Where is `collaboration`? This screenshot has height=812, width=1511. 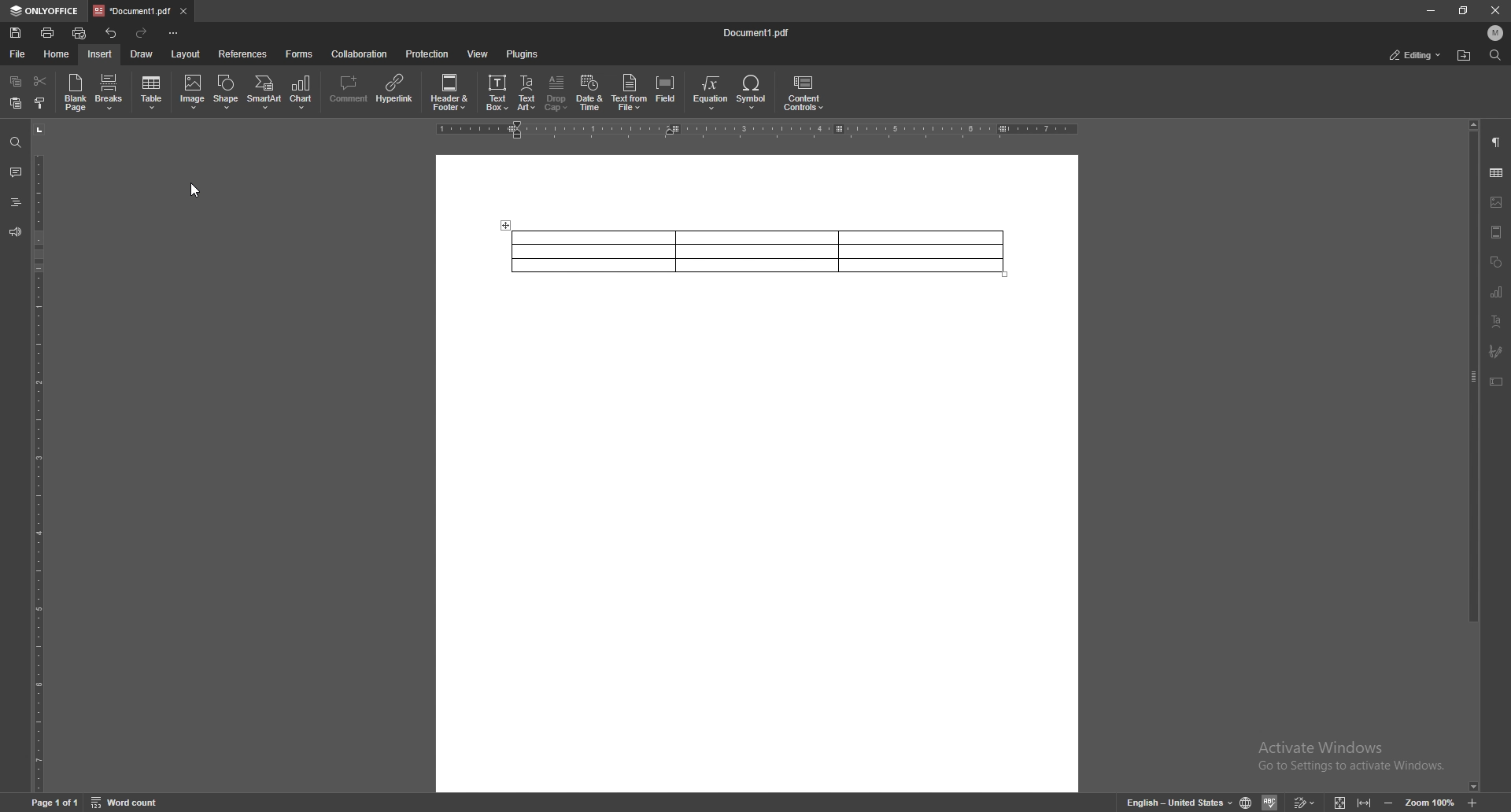 collaboration is located at coordinates (359, 53).